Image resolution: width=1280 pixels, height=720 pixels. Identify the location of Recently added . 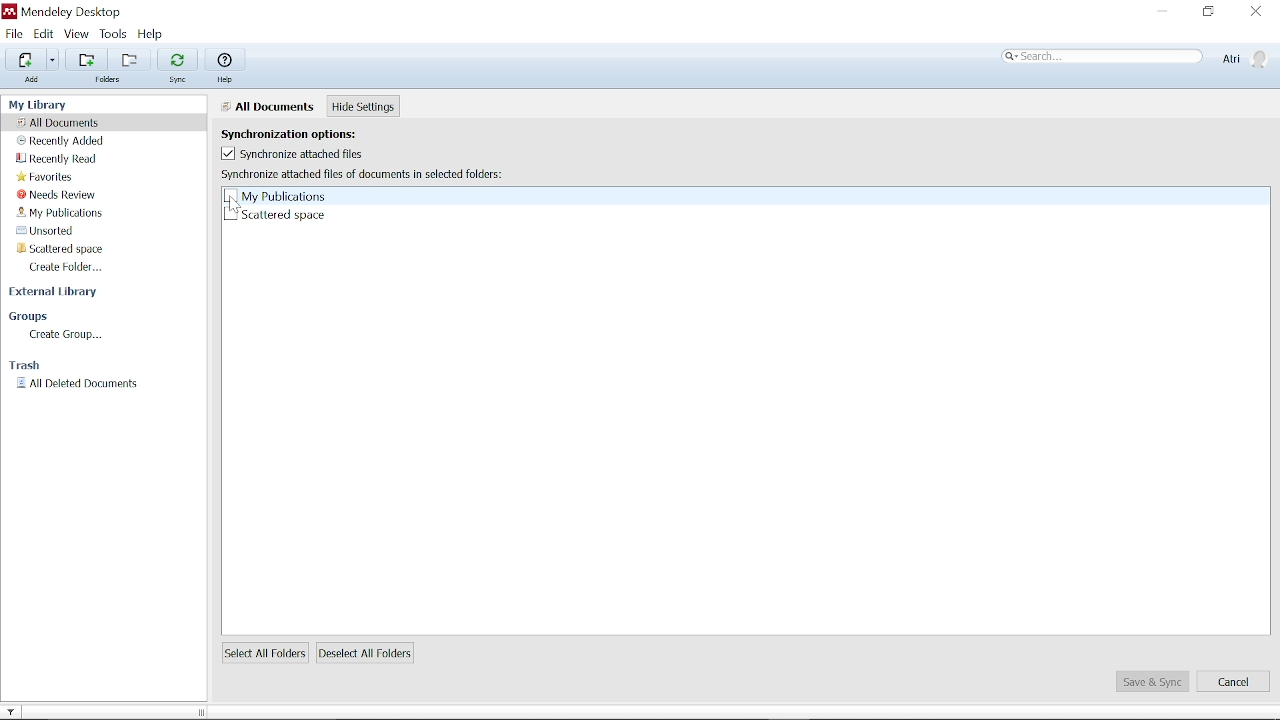
(68, 141).